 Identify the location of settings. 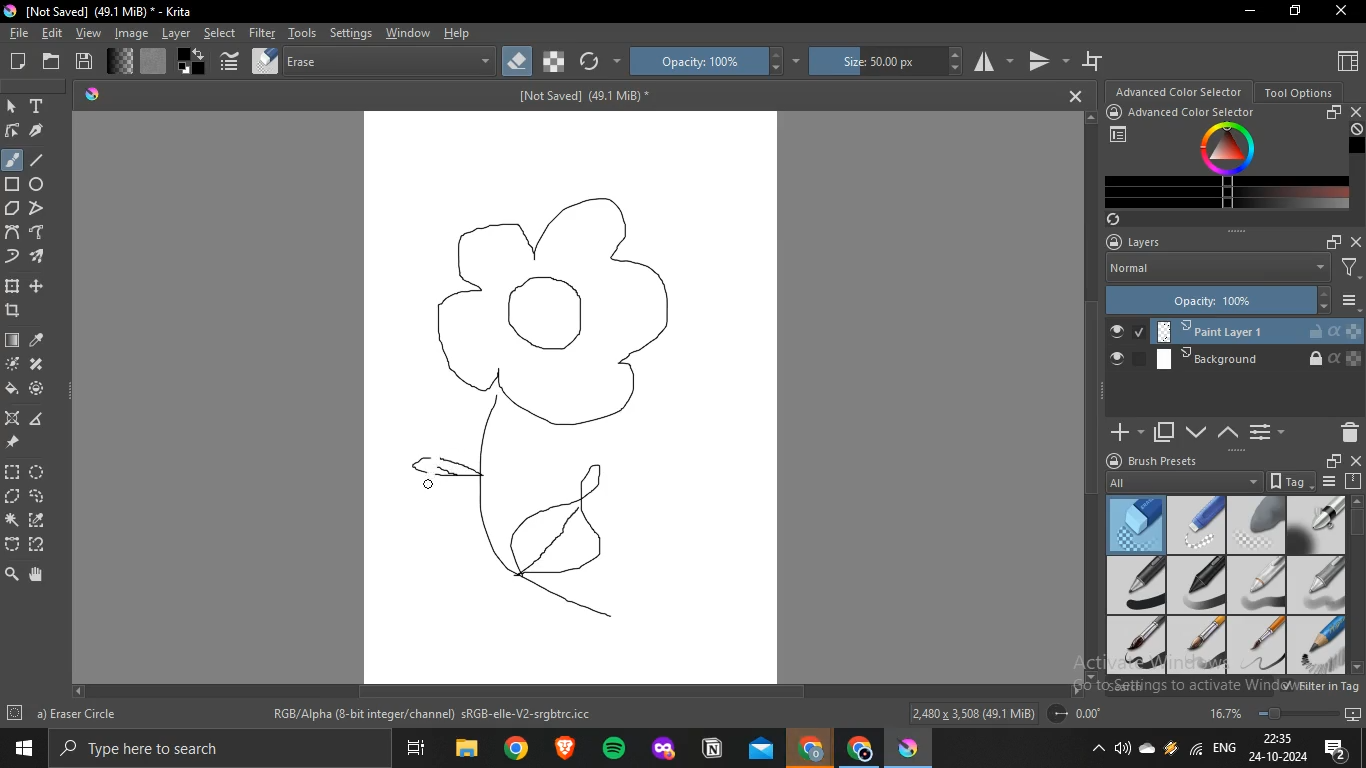
(351, 34).